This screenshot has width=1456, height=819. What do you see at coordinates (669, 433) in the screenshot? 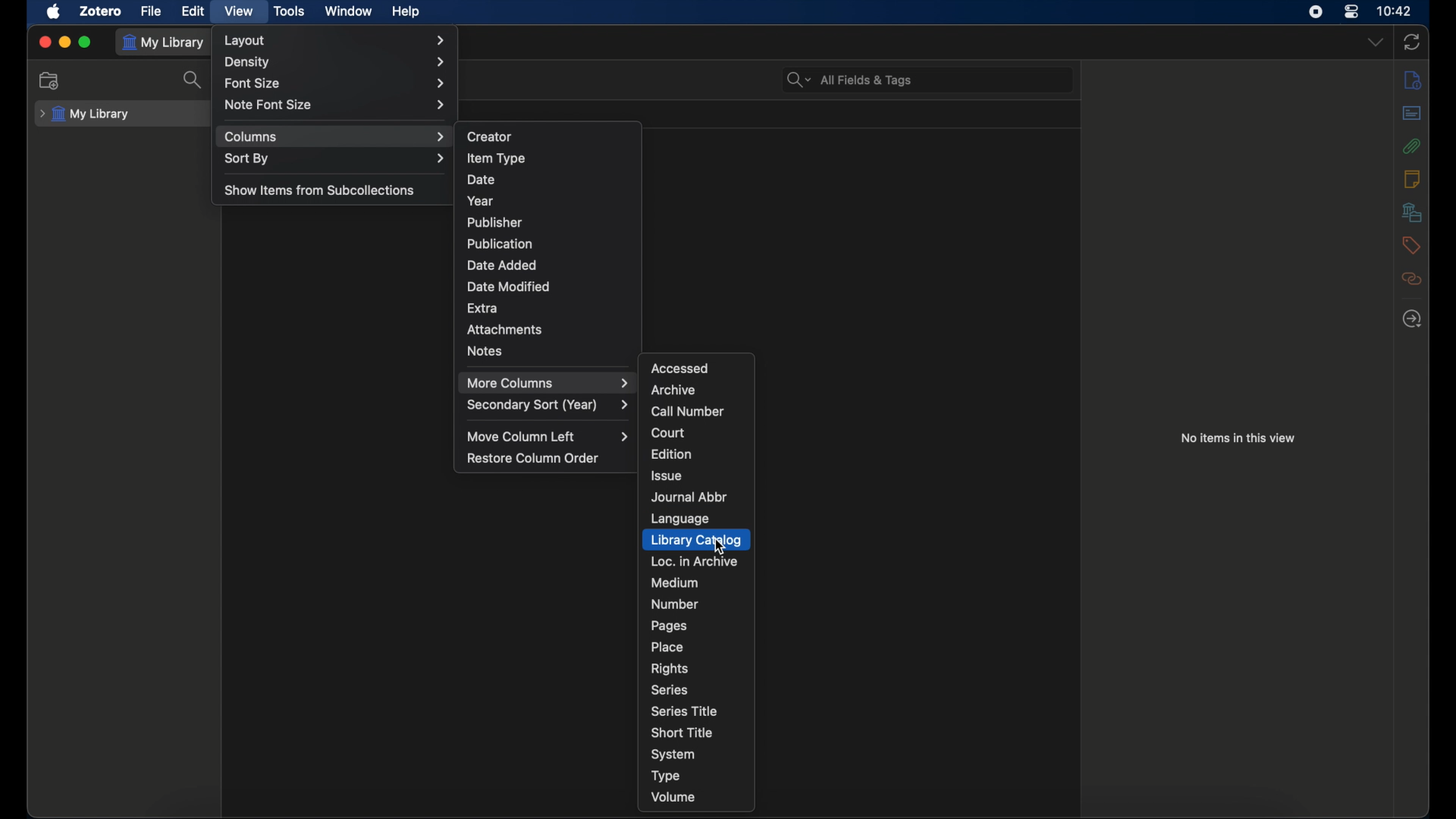
I see `court` at bounding box center [669, 433].